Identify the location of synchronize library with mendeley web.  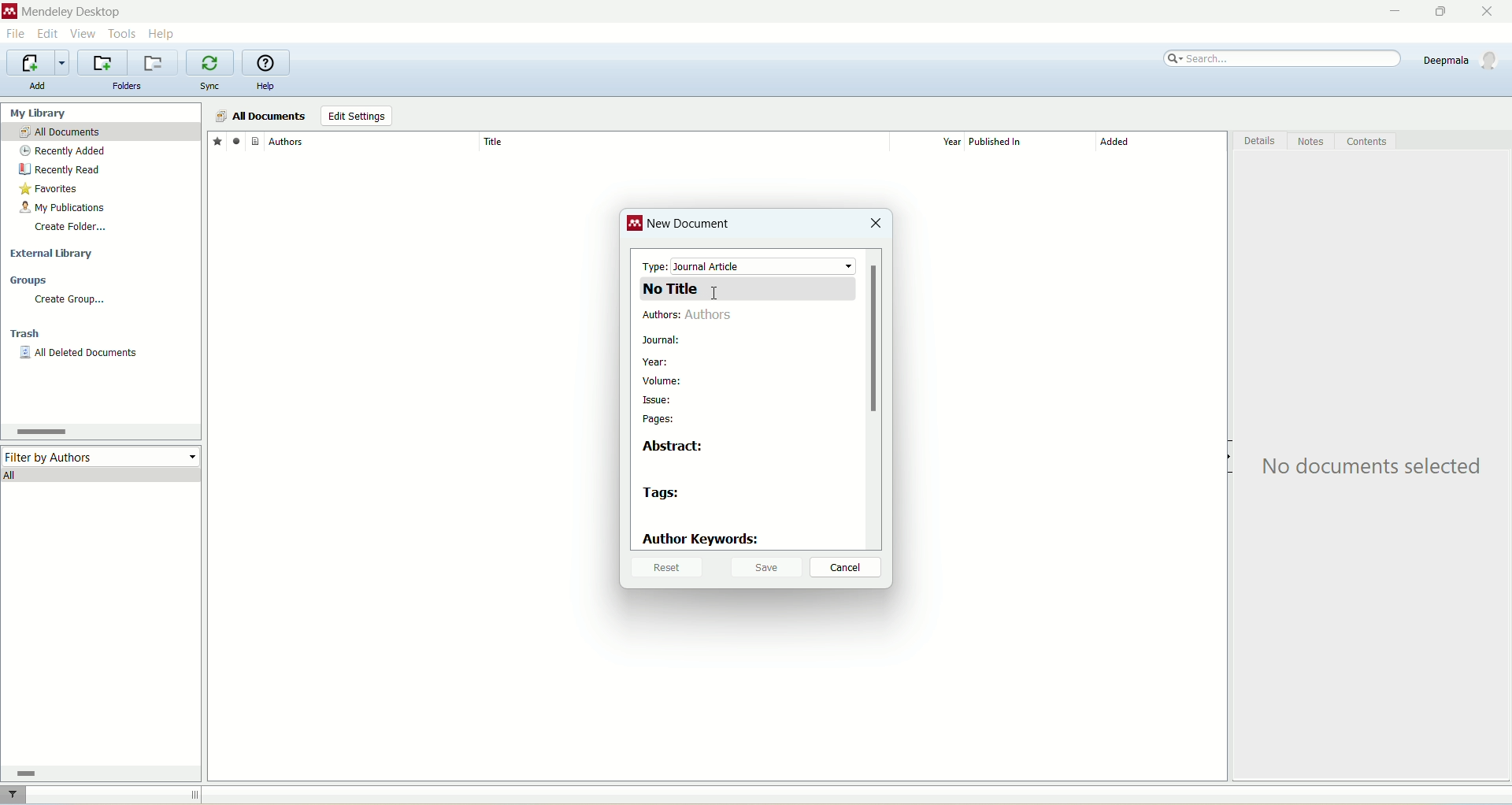
(212, 63).